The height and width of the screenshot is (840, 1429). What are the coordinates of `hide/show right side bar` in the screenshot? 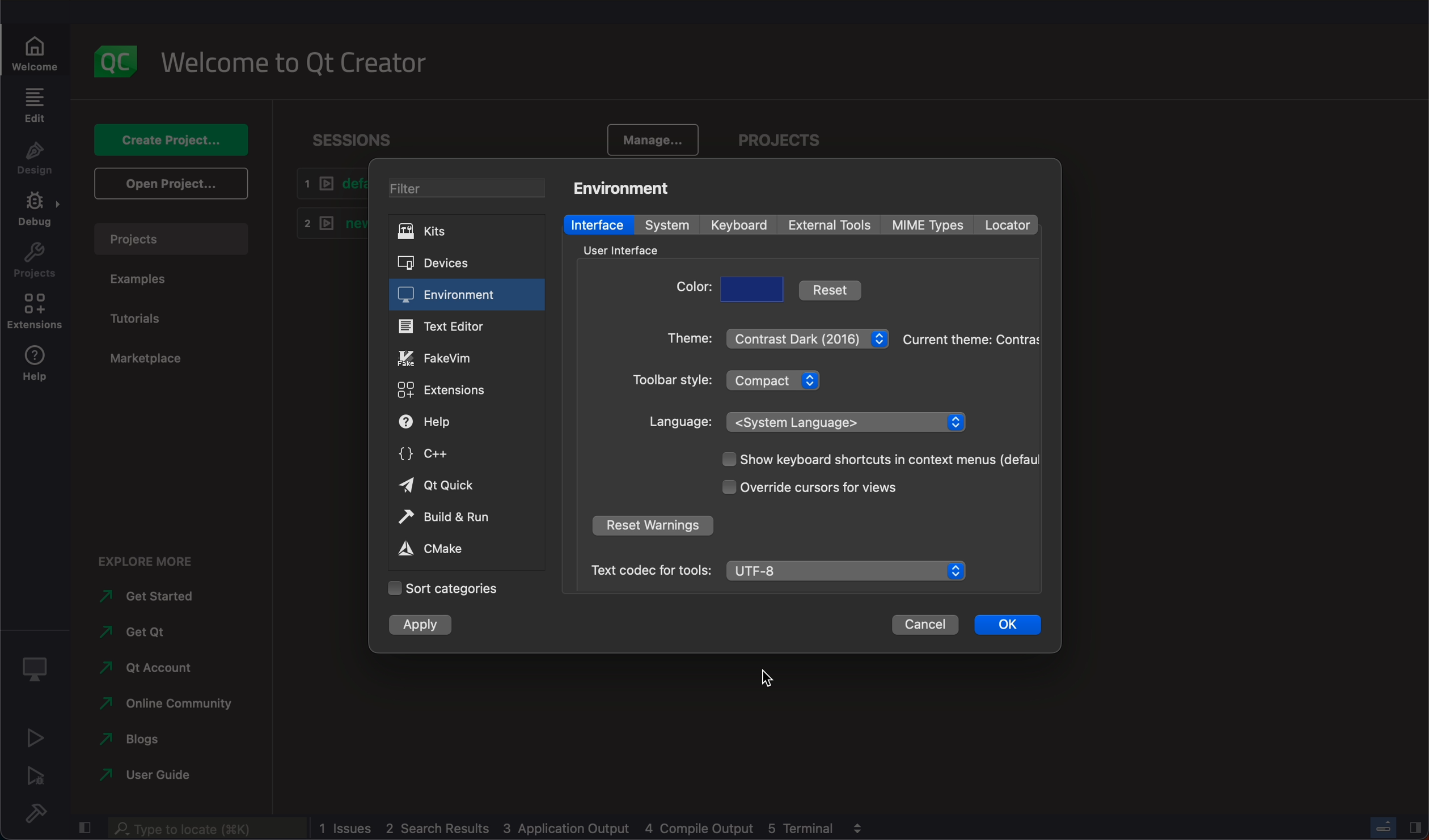 It's located at (1415, 826).